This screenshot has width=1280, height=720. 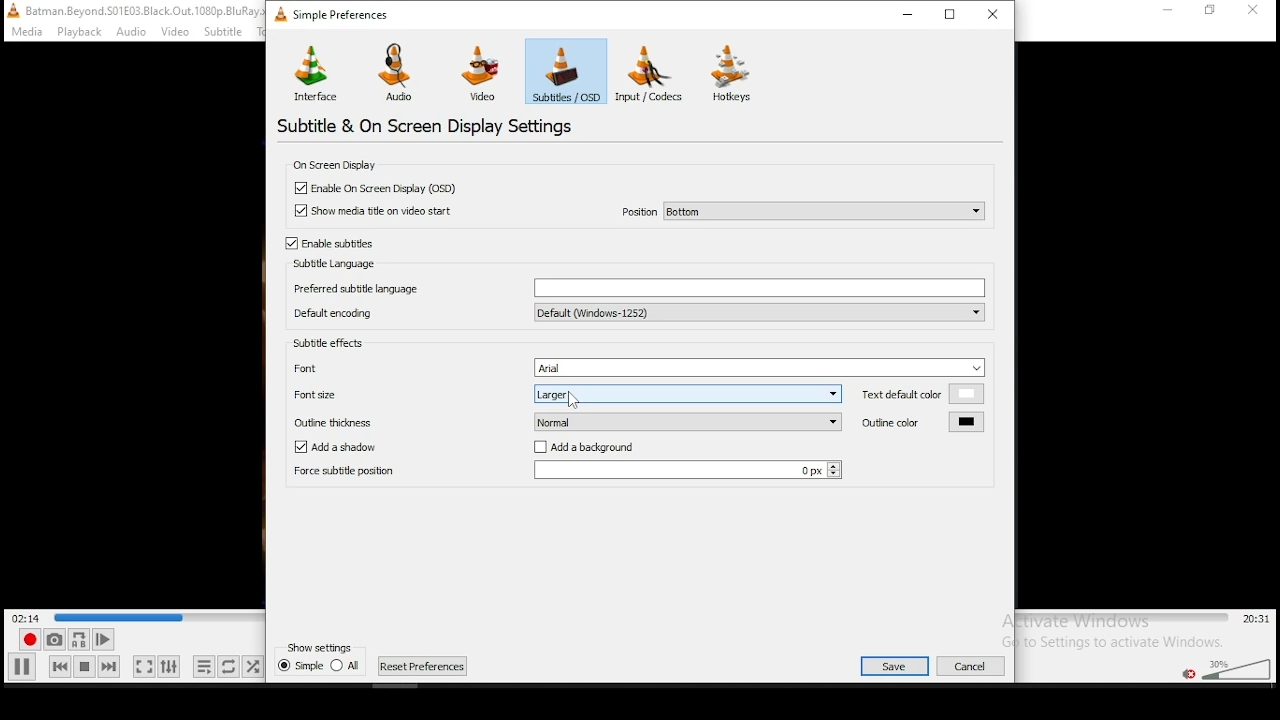 What do you see at coordinates (637, 286) in the screenshot?
I see `prefer subtitle language` at bounding box center [637, 286].